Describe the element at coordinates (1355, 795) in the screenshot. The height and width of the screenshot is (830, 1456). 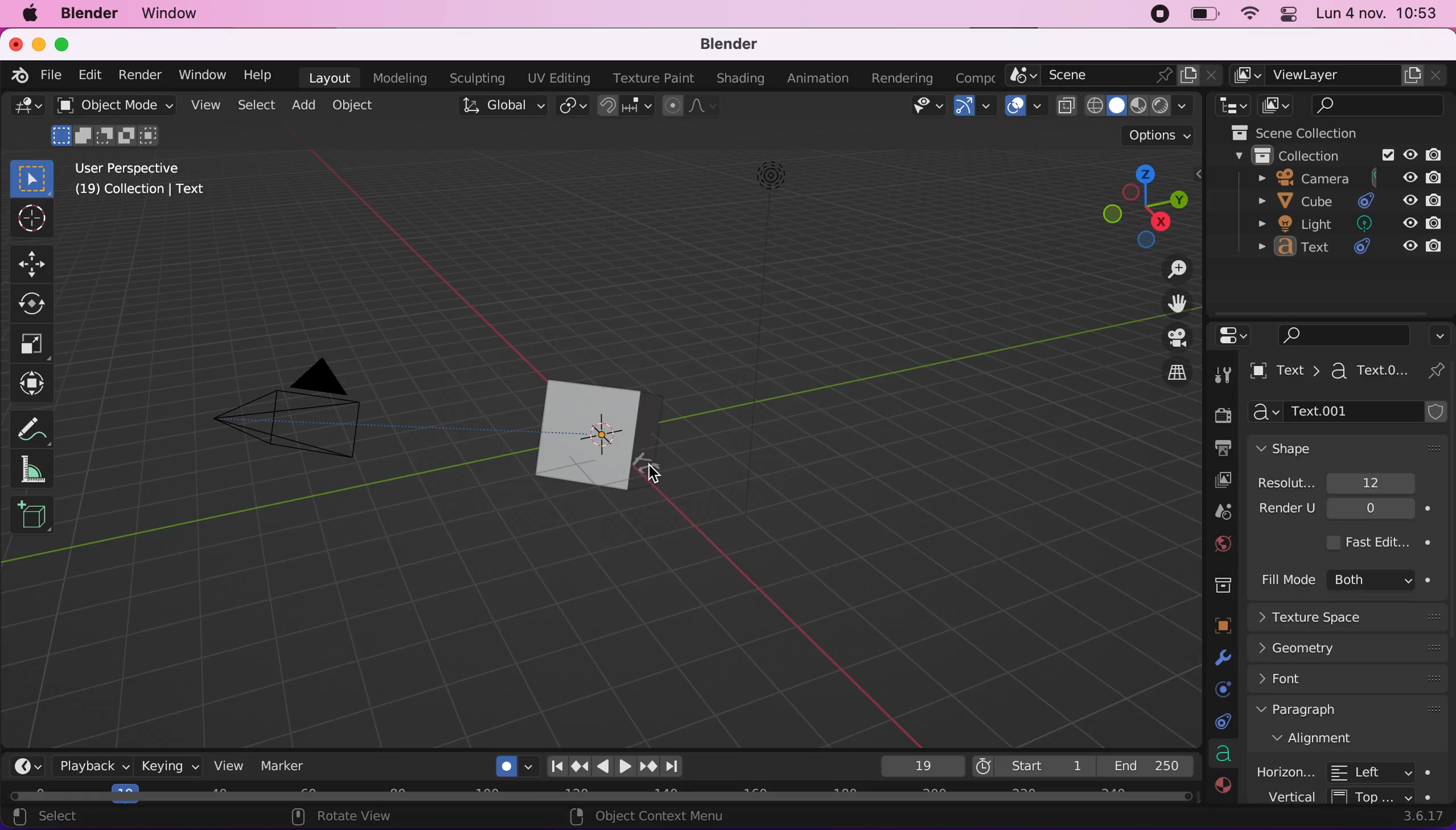
I see `vertical` at that location.